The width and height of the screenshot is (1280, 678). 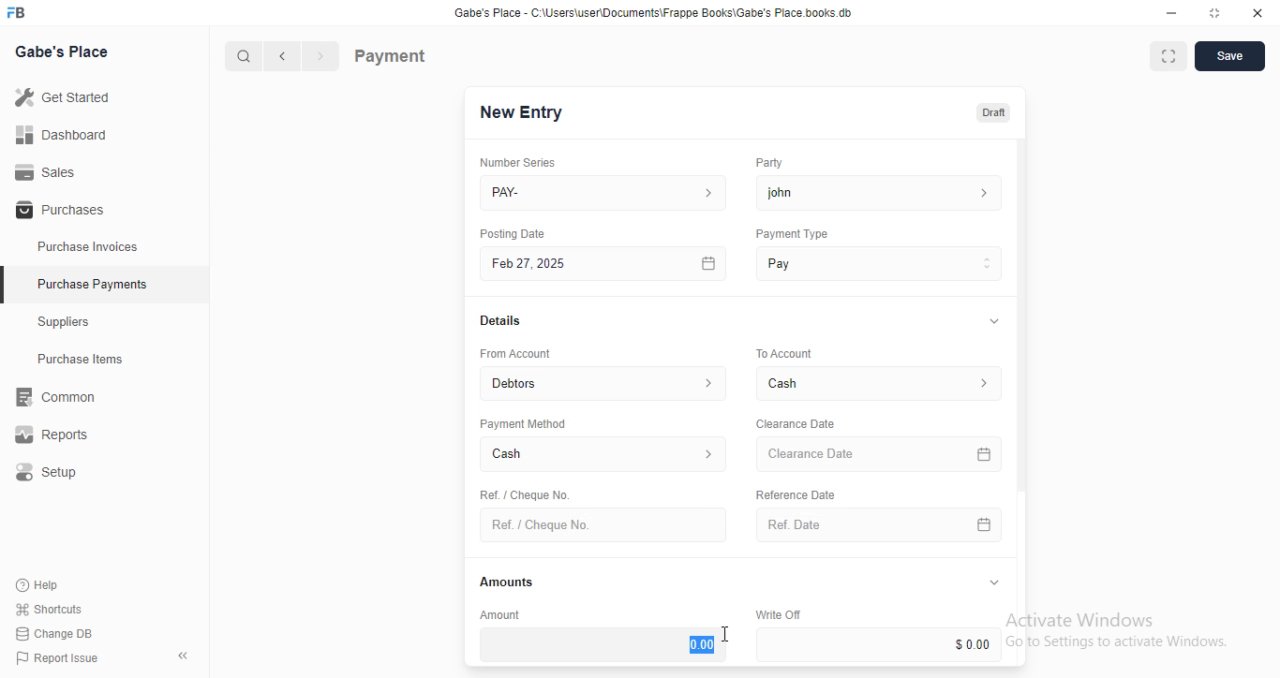 What do you see at coordinates (59, 435) in the screenshot?
I see `Reports.` at bounding box center [59, 435].